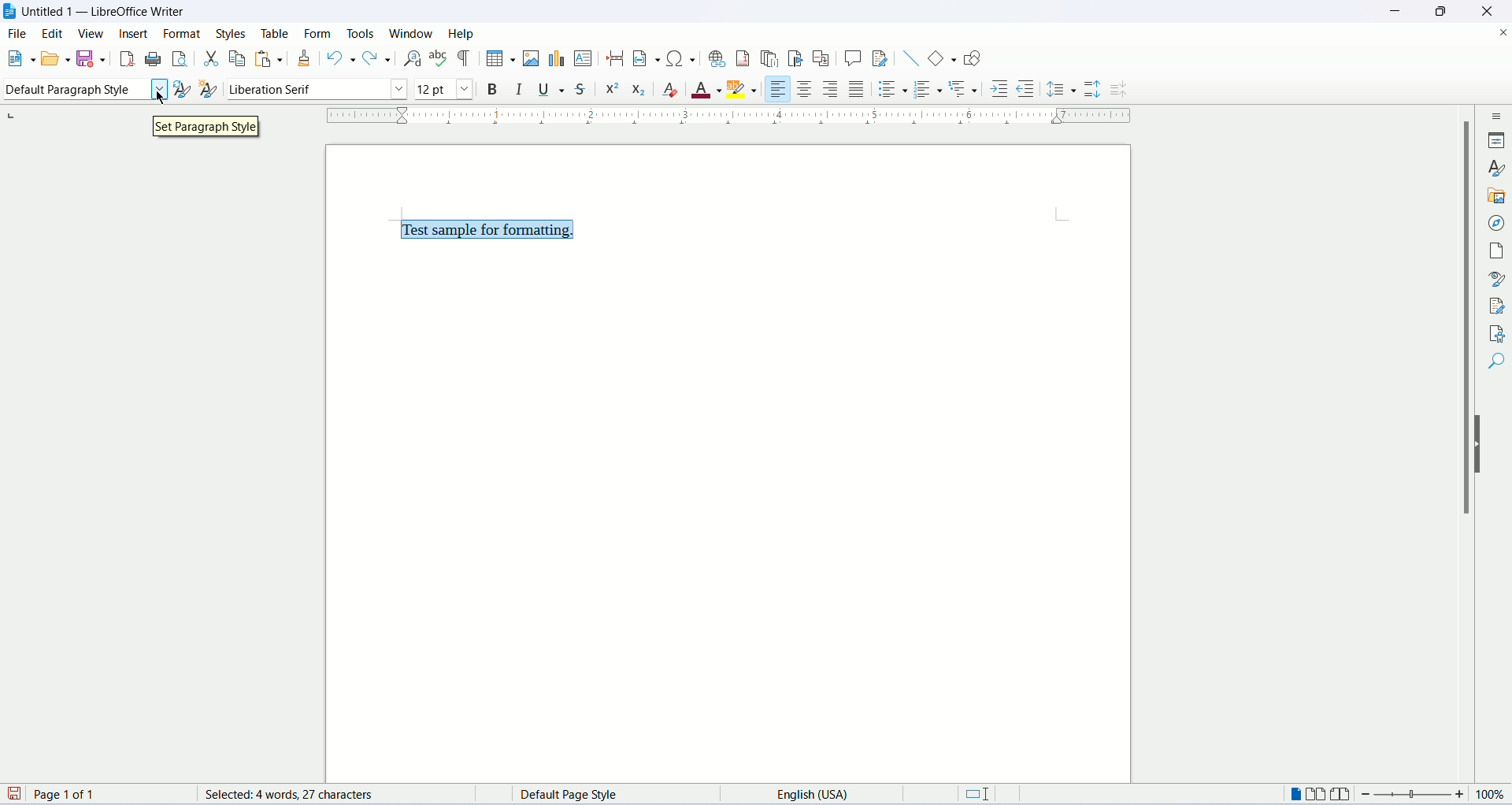  Describe the element at coordinates (11, 13) in the screenshot. I see `logo` at that location.